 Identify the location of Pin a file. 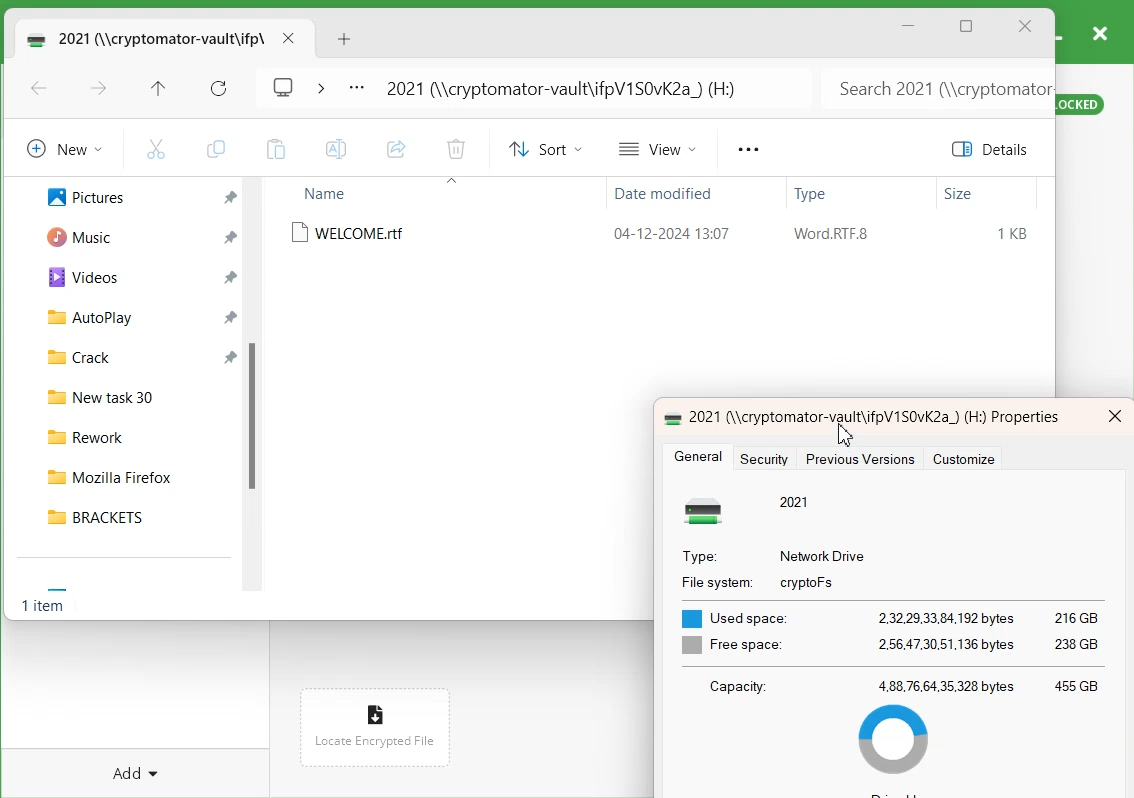
(231, 355).